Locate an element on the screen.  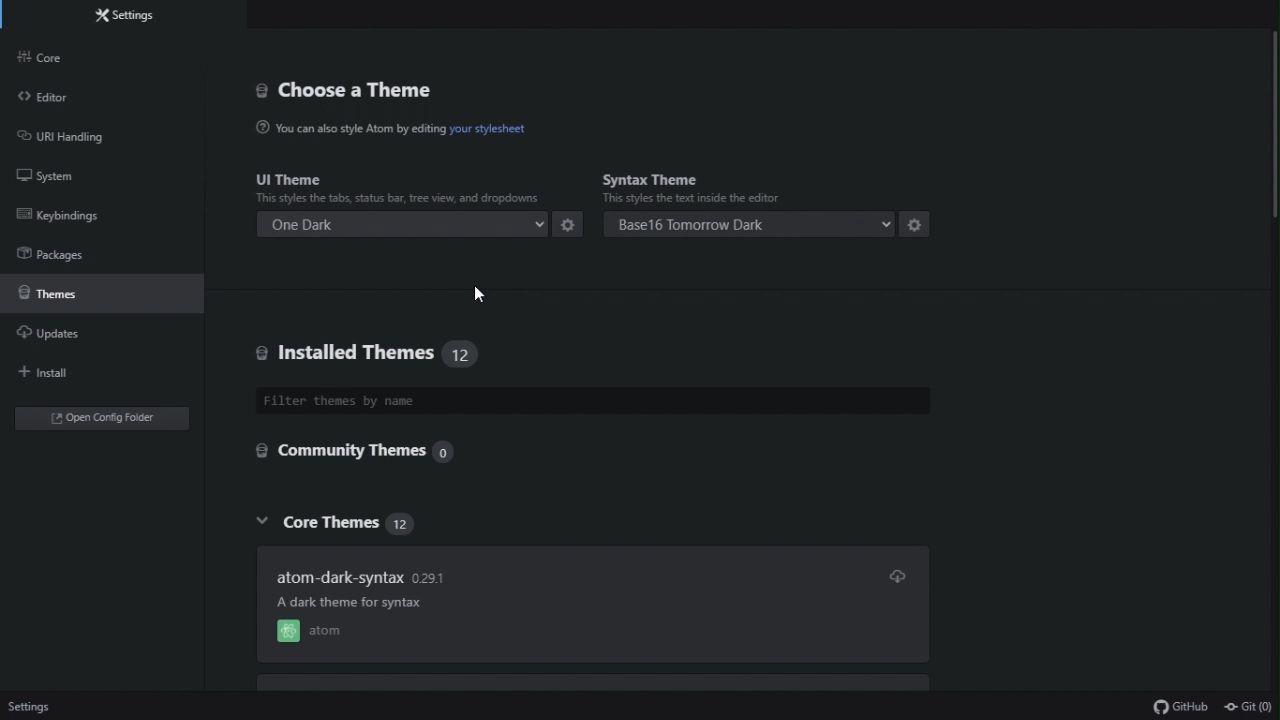
Settings is located at coordinates (154, 18).